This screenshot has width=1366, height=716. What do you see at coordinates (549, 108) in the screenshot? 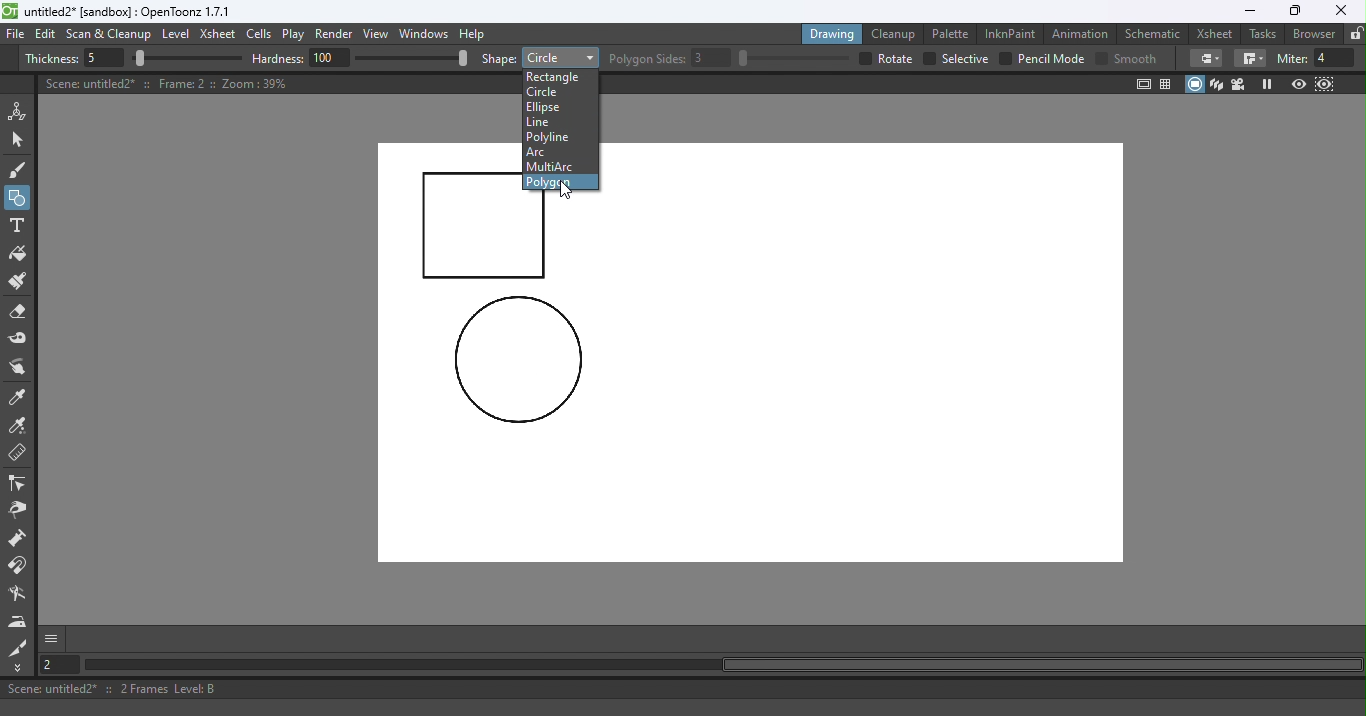
I see `Ellipse` at bounding box center [549, 108].